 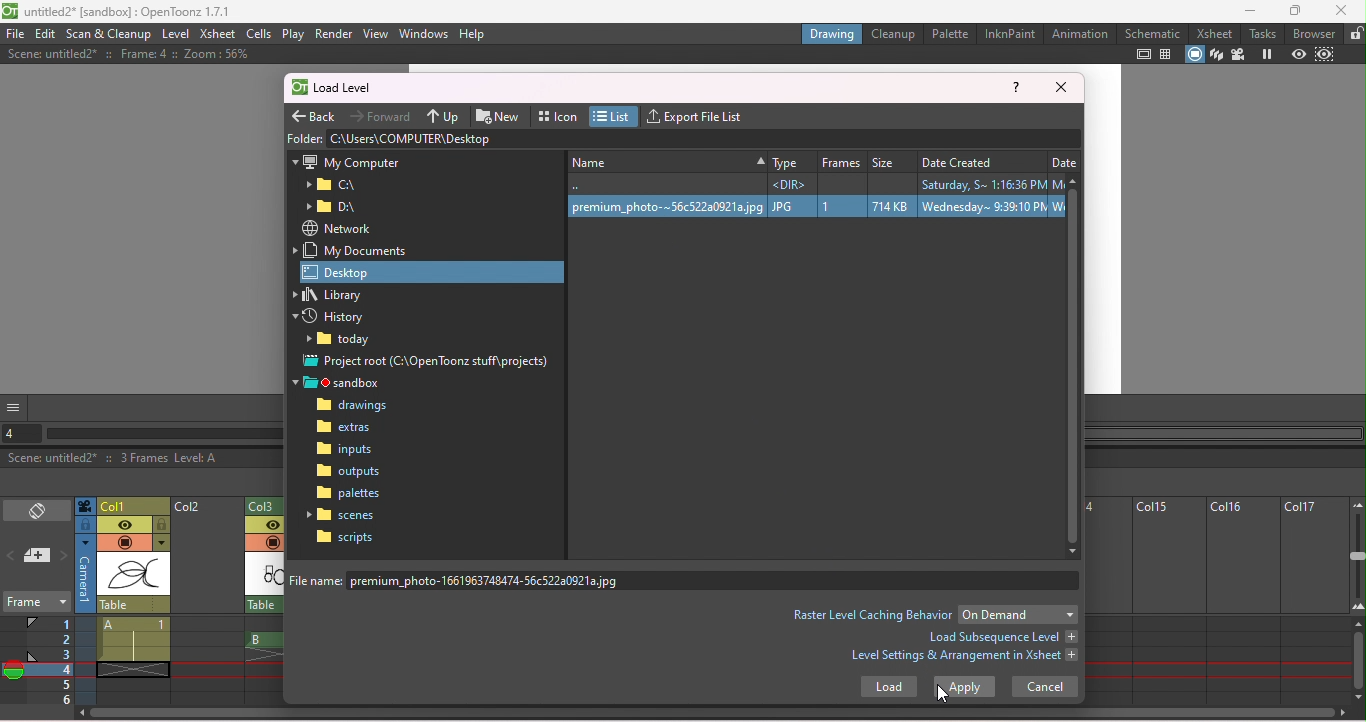 I want to click on Up, so click(x=445, y=115).